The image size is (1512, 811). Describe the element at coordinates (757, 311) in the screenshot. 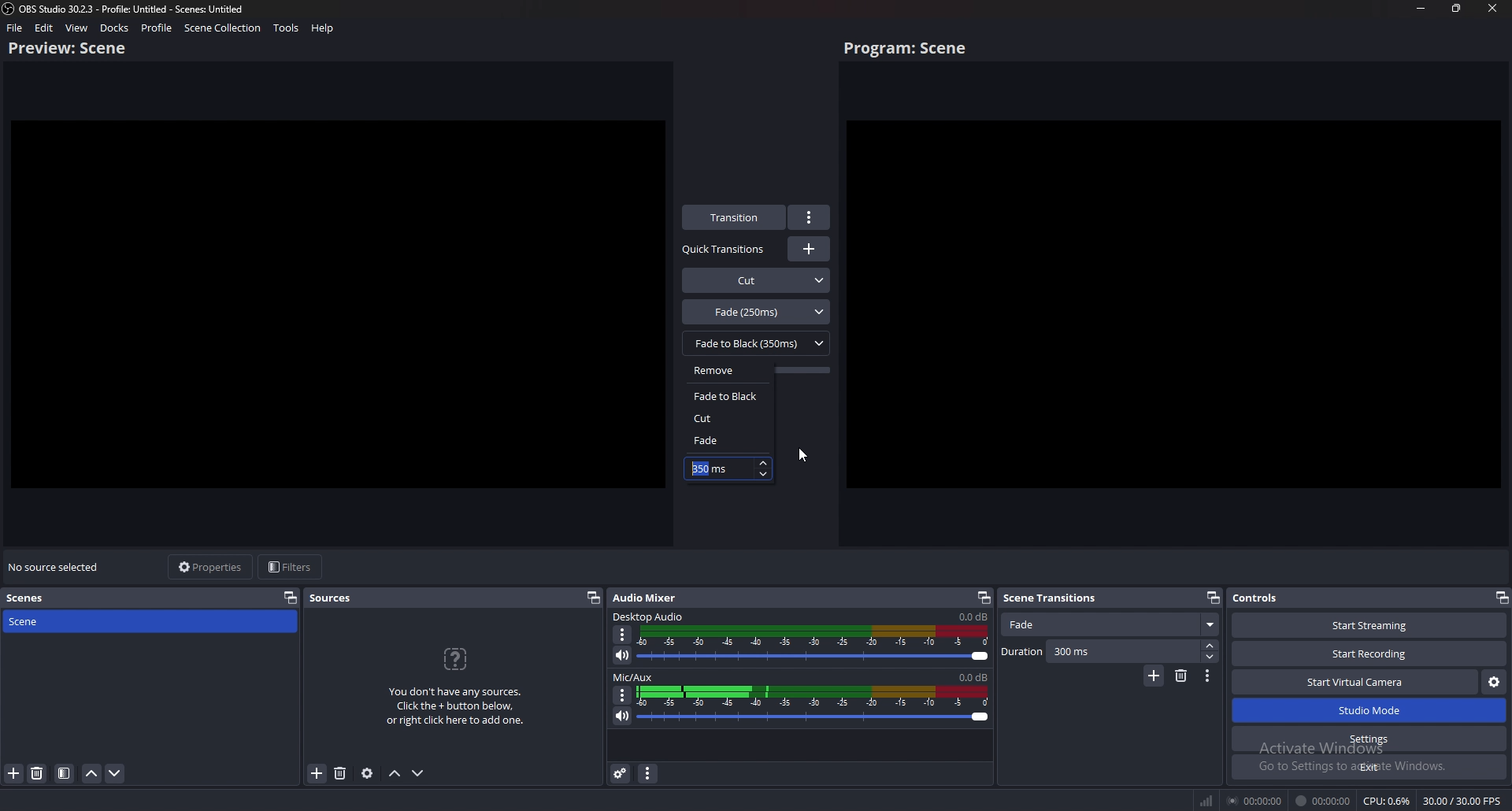

I see `fade(250ms)` at that location.